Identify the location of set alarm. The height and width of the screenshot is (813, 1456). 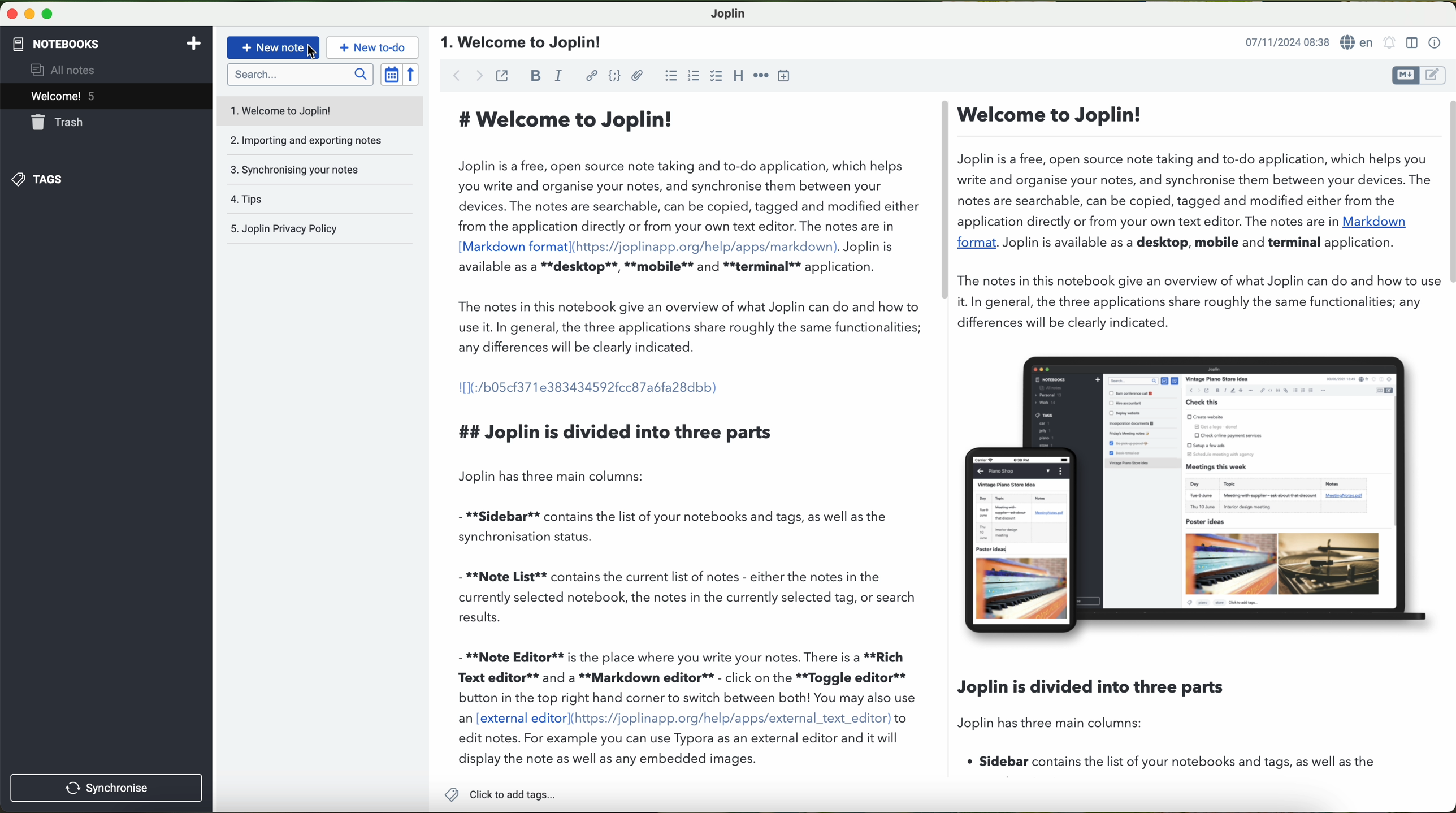
(1390, 42).